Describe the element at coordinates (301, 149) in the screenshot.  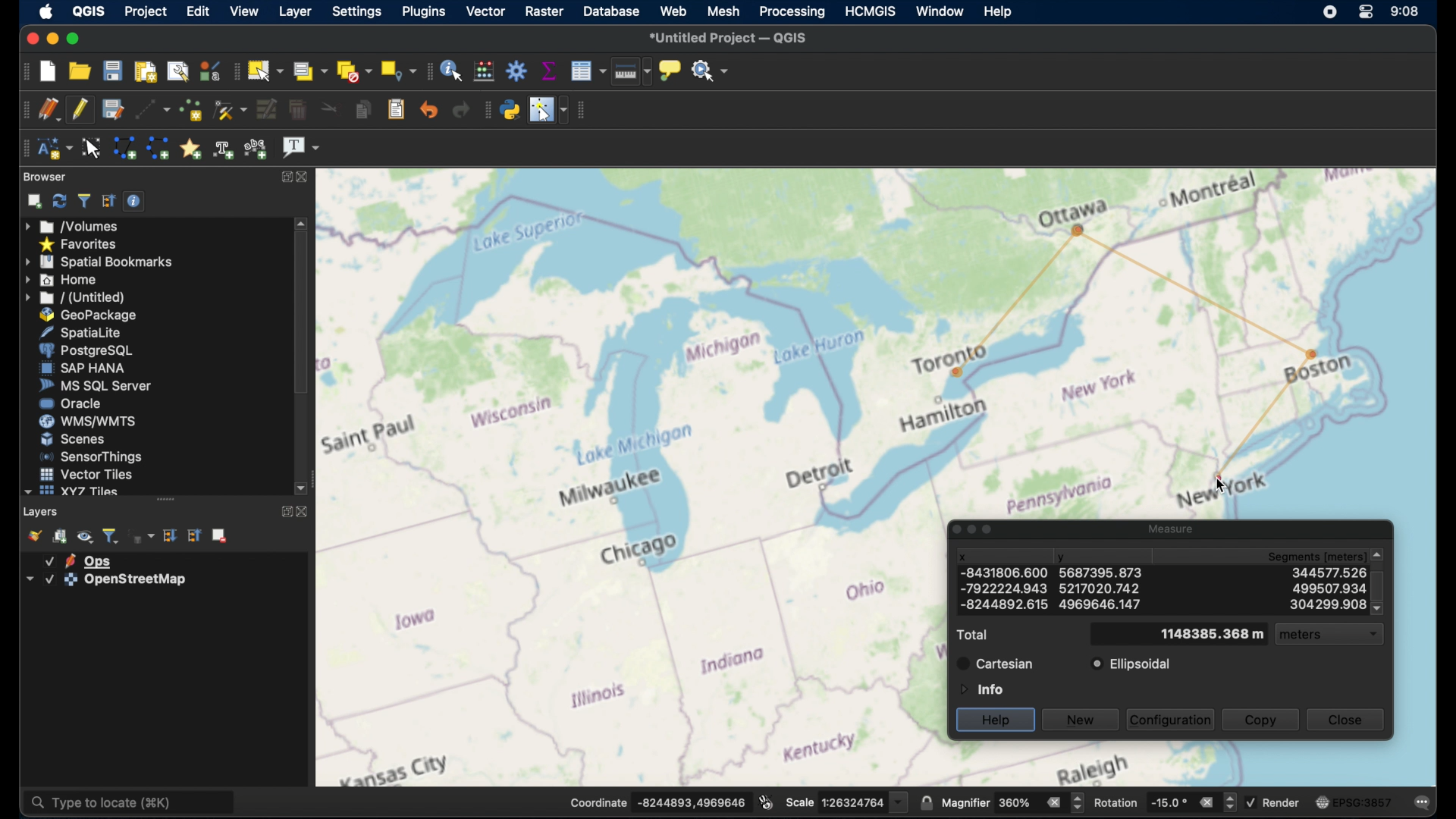
I see `text annotation` at that location.